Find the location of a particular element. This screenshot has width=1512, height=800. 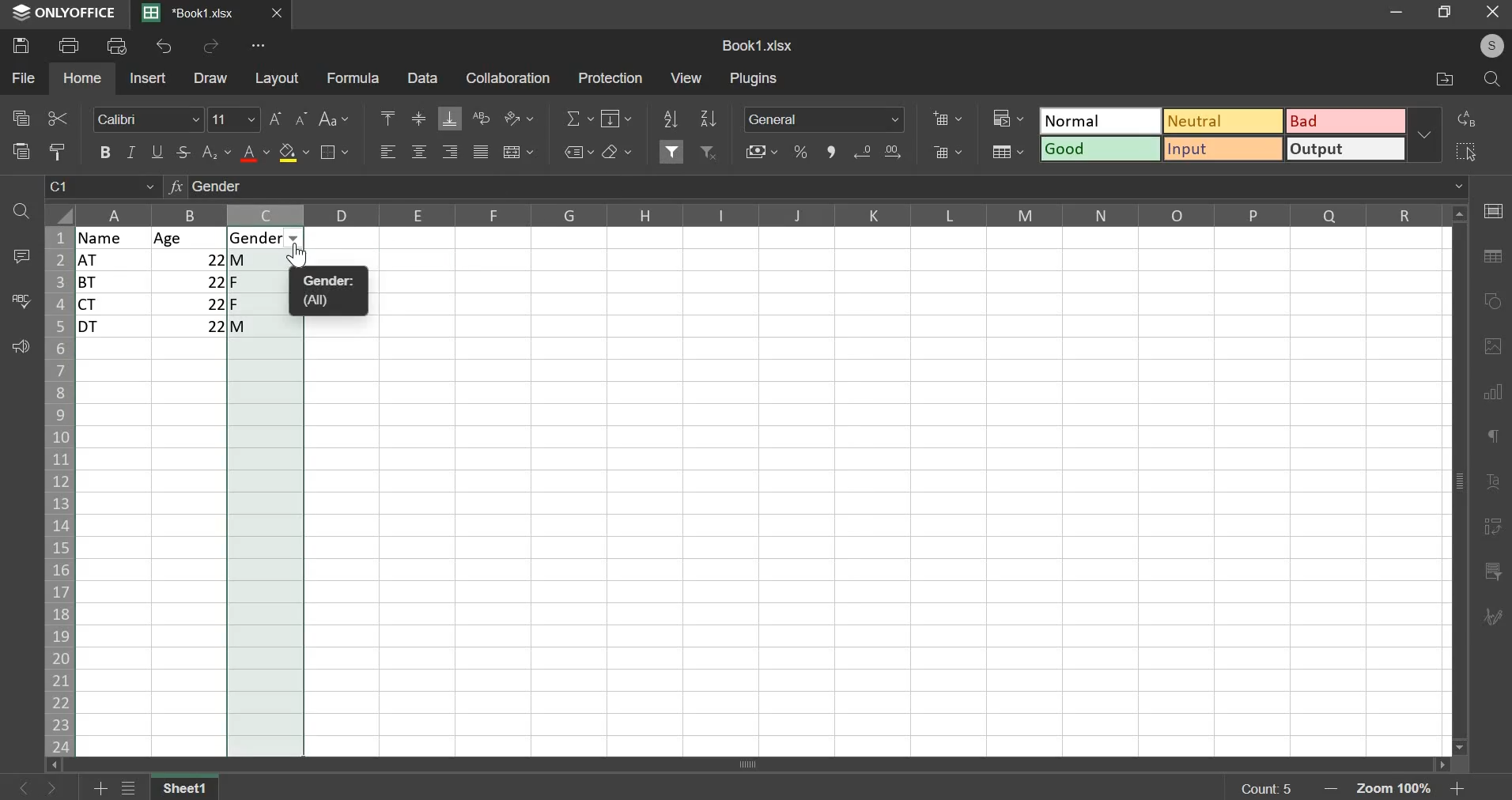

justified is located at coordinates (481, 152).